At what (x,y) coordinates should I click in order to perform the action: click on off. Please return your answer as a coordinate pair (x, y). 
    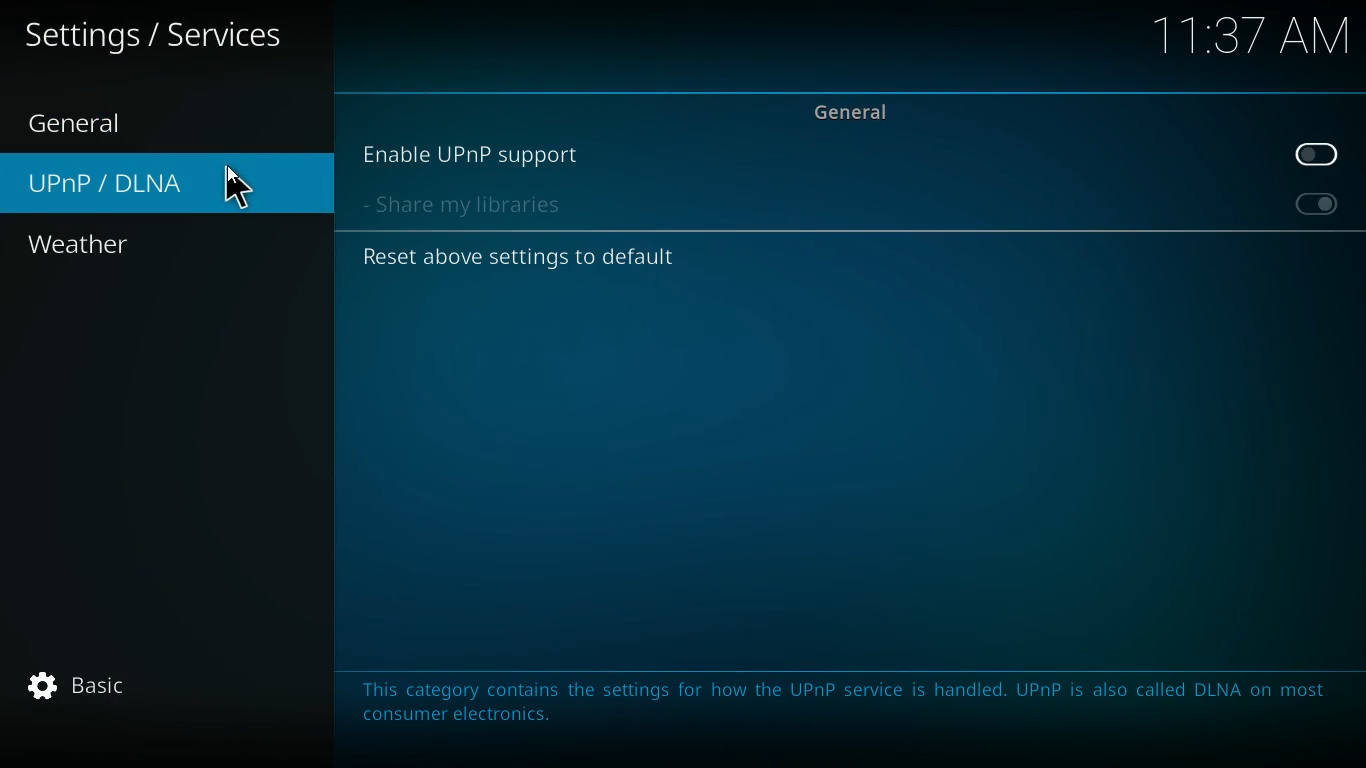
    Looking at the image, I should click on (1321, 156).